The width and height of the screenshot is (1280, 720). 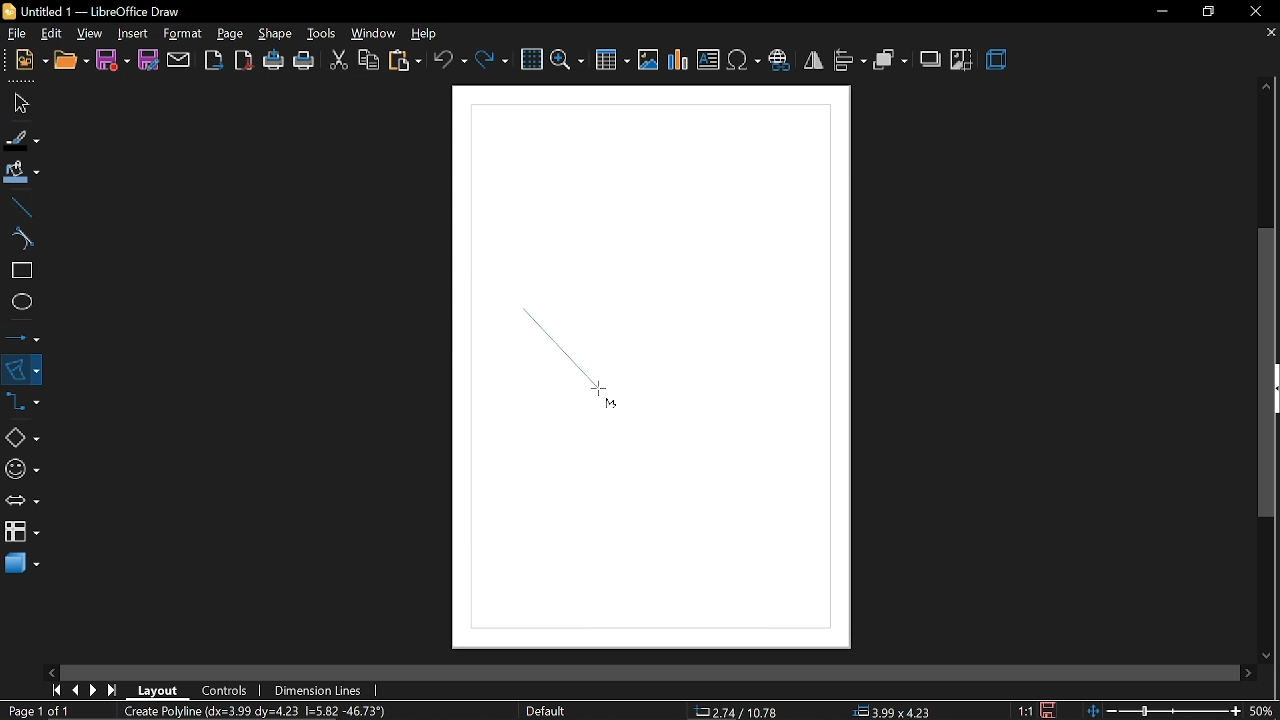 I want to click on paste, so click(x=404, y=60).